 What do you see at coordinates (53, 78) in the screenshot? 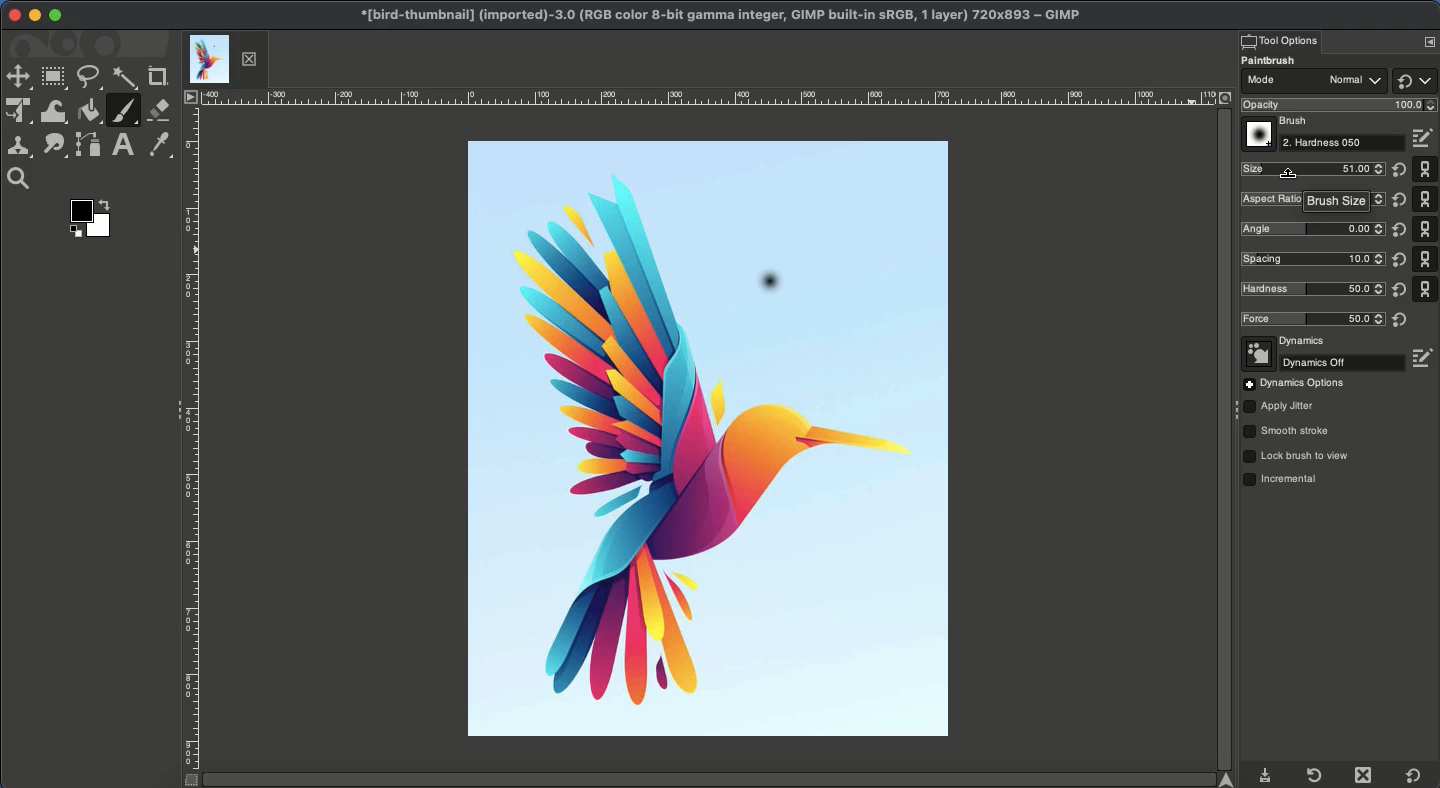
I see `Rectangular selector` at bounding box center [53, 78].